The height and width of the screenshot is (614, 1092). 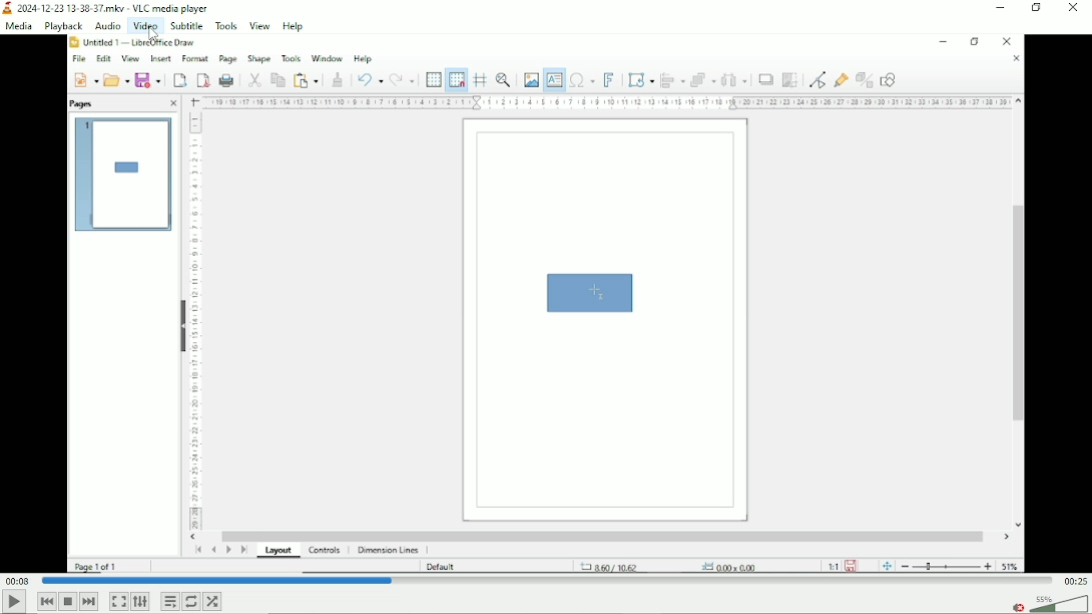 I want to click on Toggle playlist, so click(x=169, y=600).